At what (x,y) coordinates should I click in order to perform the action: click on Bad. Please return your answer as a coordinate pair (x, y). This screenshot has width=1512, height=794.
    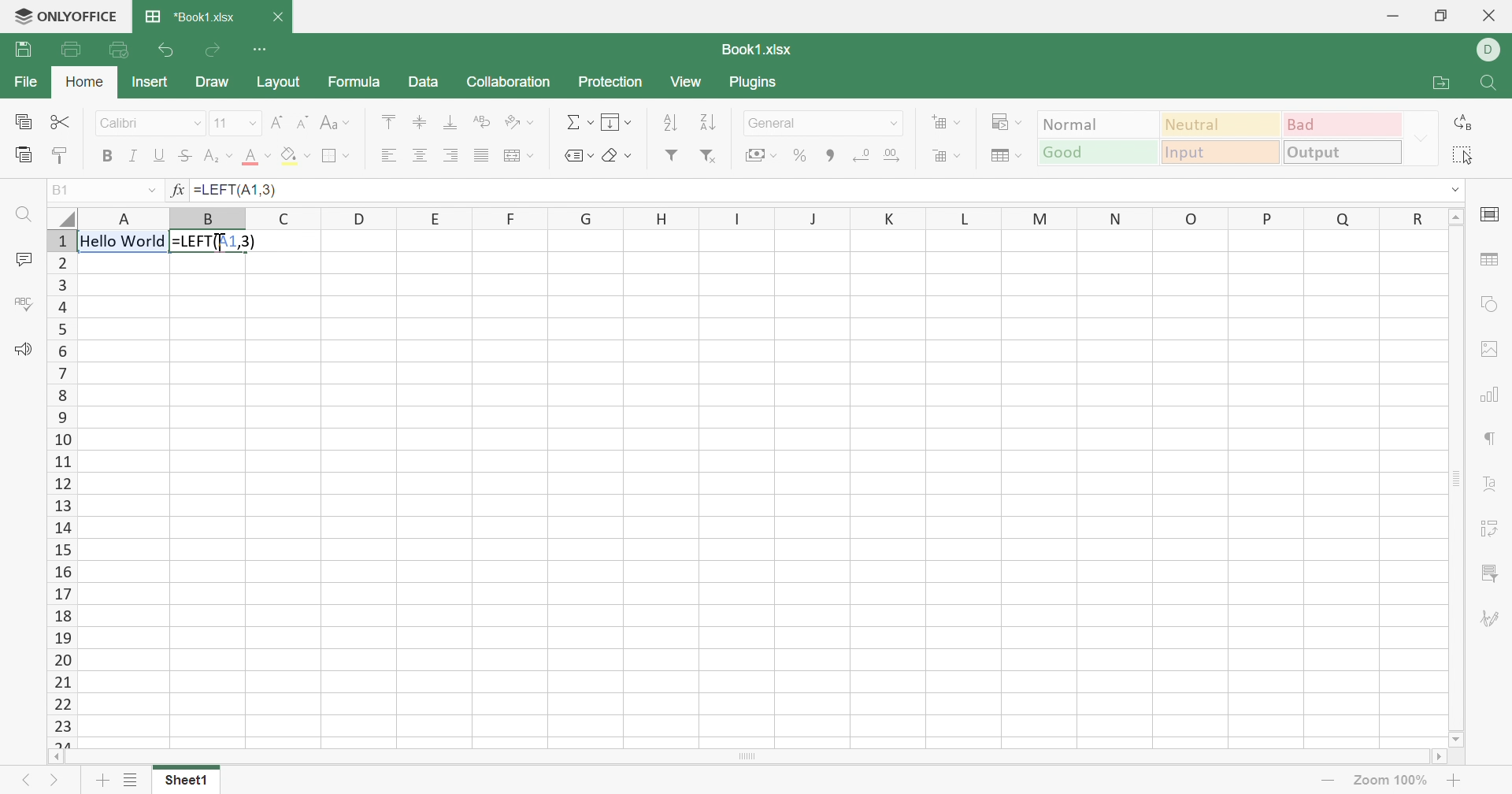
    Looking at the image, I should click on (1343, 123).